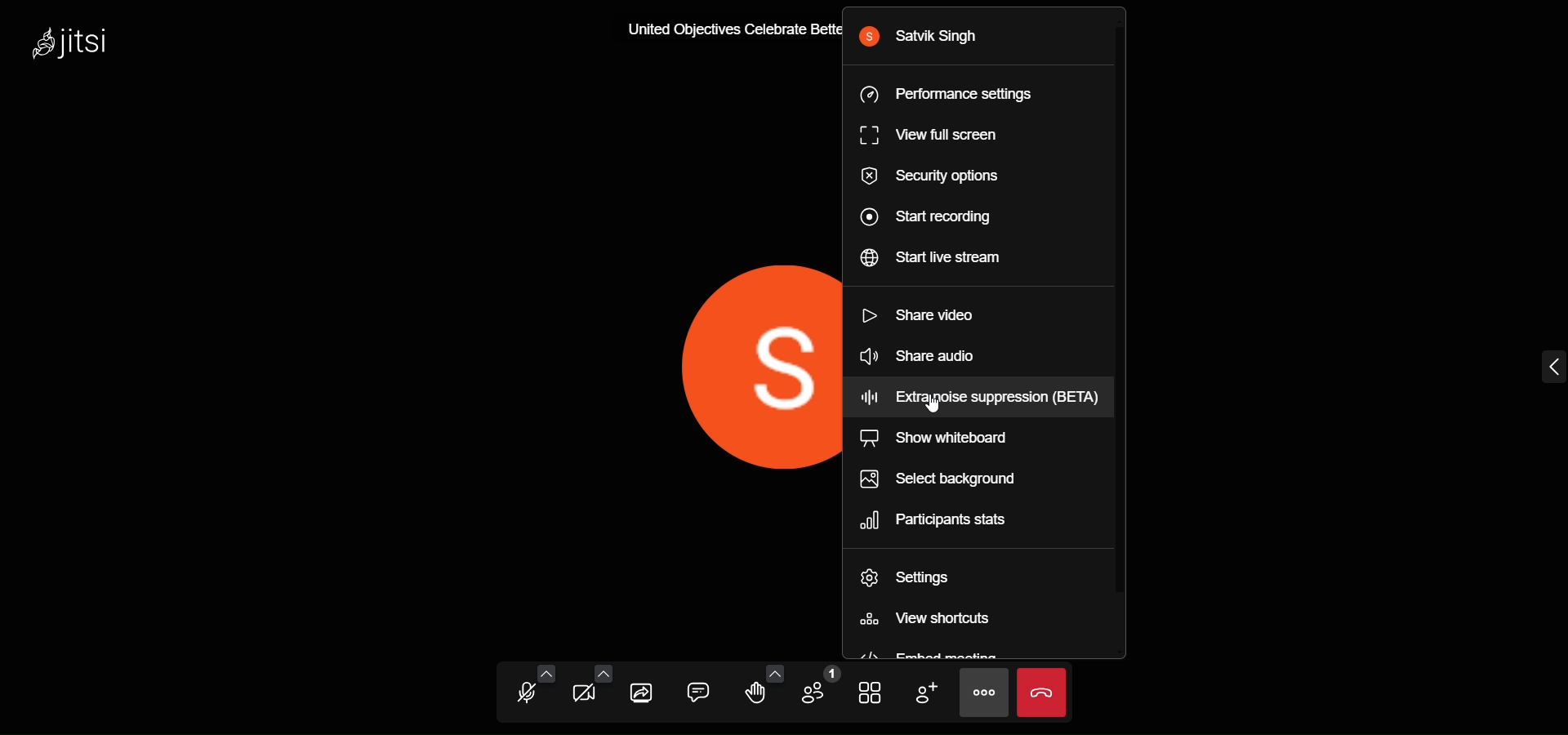 The height and width of the screenshot is (735, 1568). What do you see at coordinates (774, 672) in the screenshot?
I see `more emoji` at bounding box center [774, 672].